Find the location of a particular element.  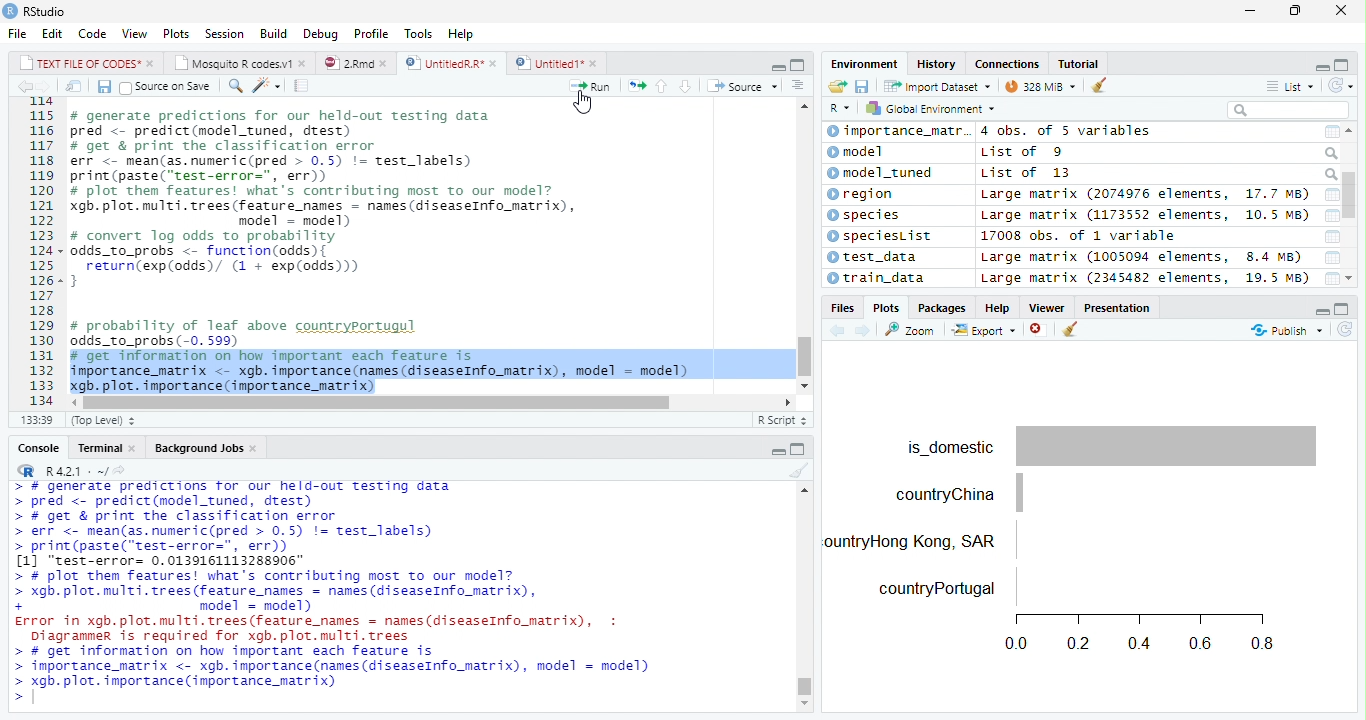

Session is located at coordinates (225, 33).